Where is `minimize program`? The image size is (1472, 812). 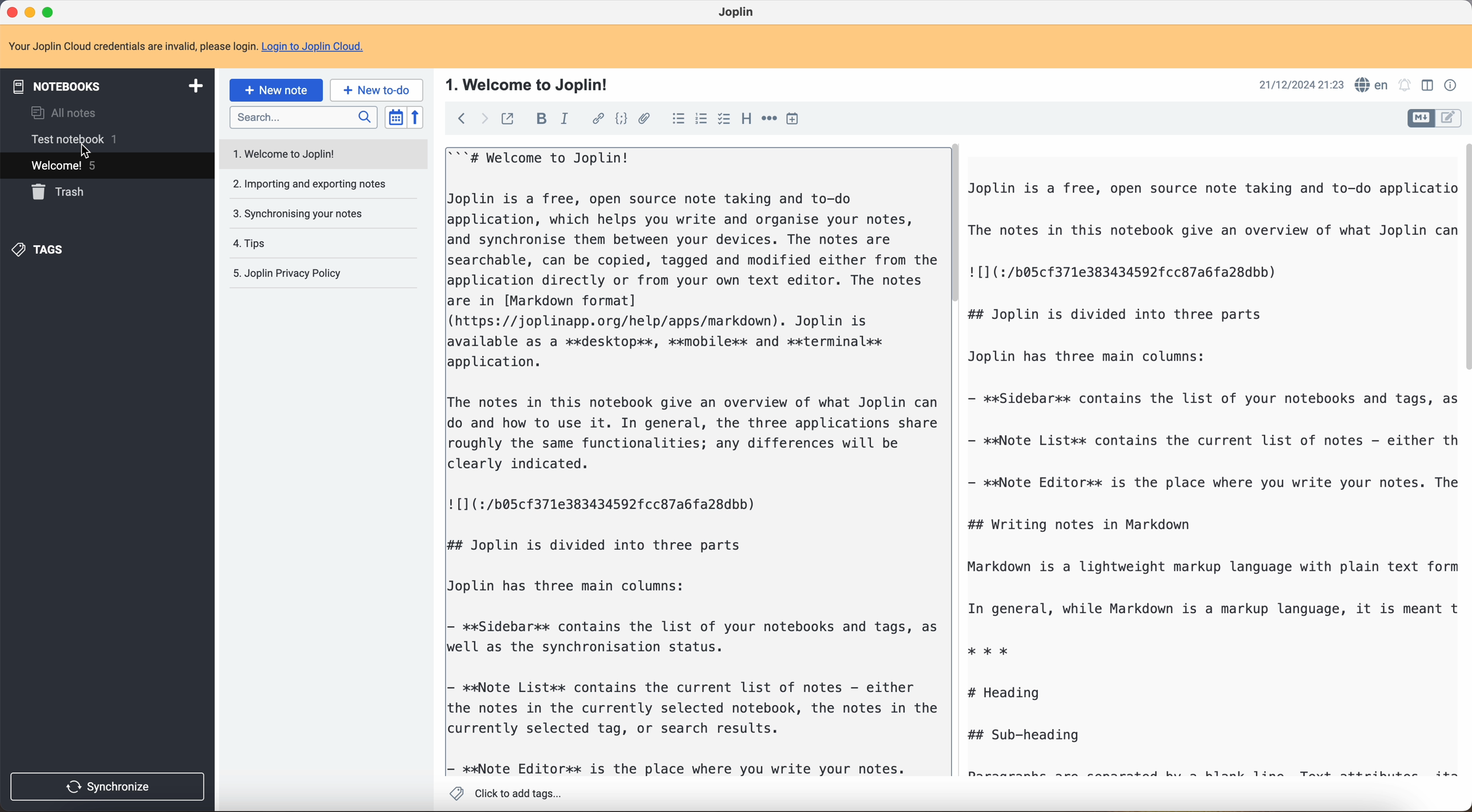
minimize program is located at coordinates (32, 14).